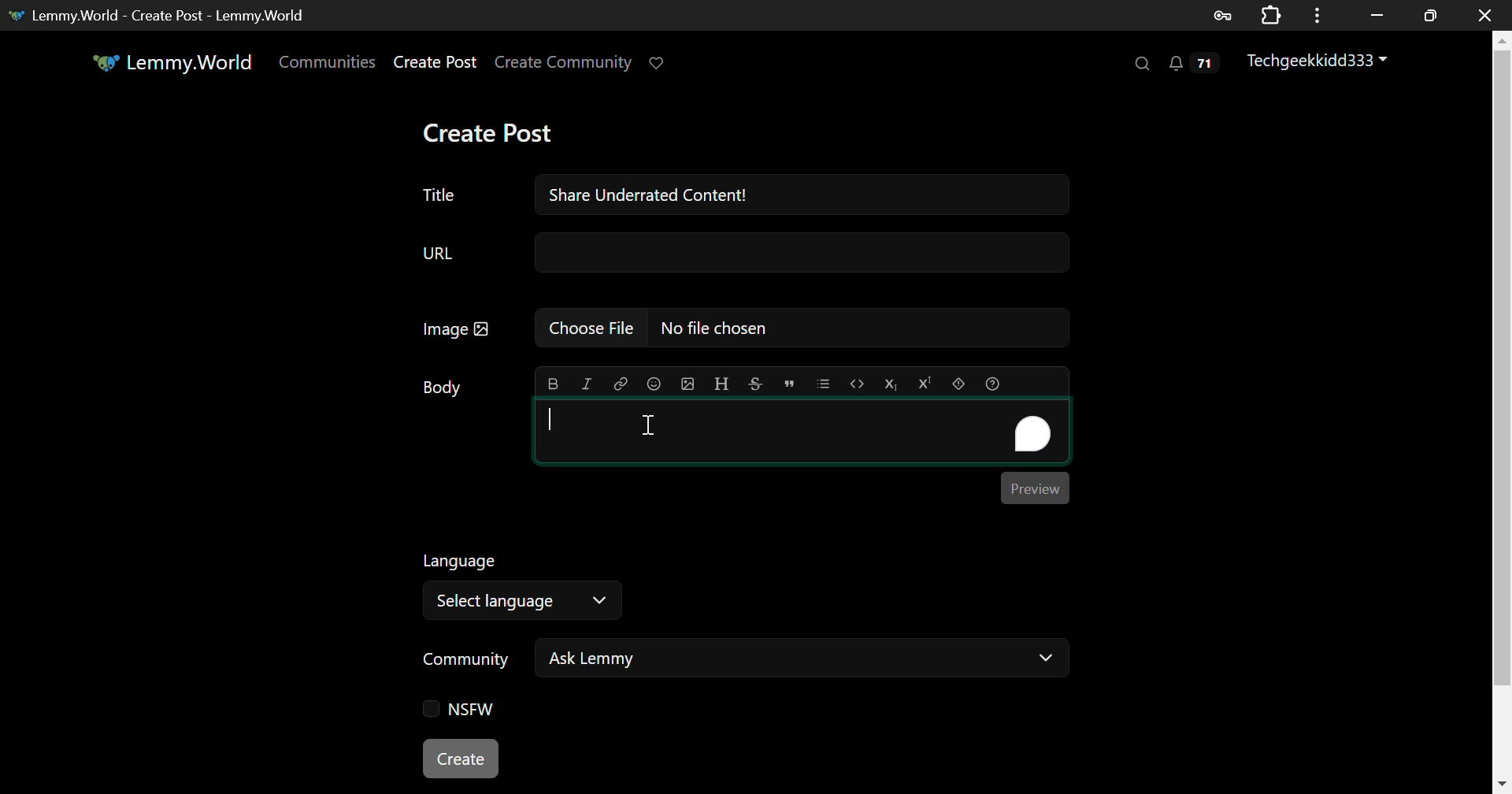 The image size is (1512, 794). I want to click on Cursor Position, so click(648, 424).